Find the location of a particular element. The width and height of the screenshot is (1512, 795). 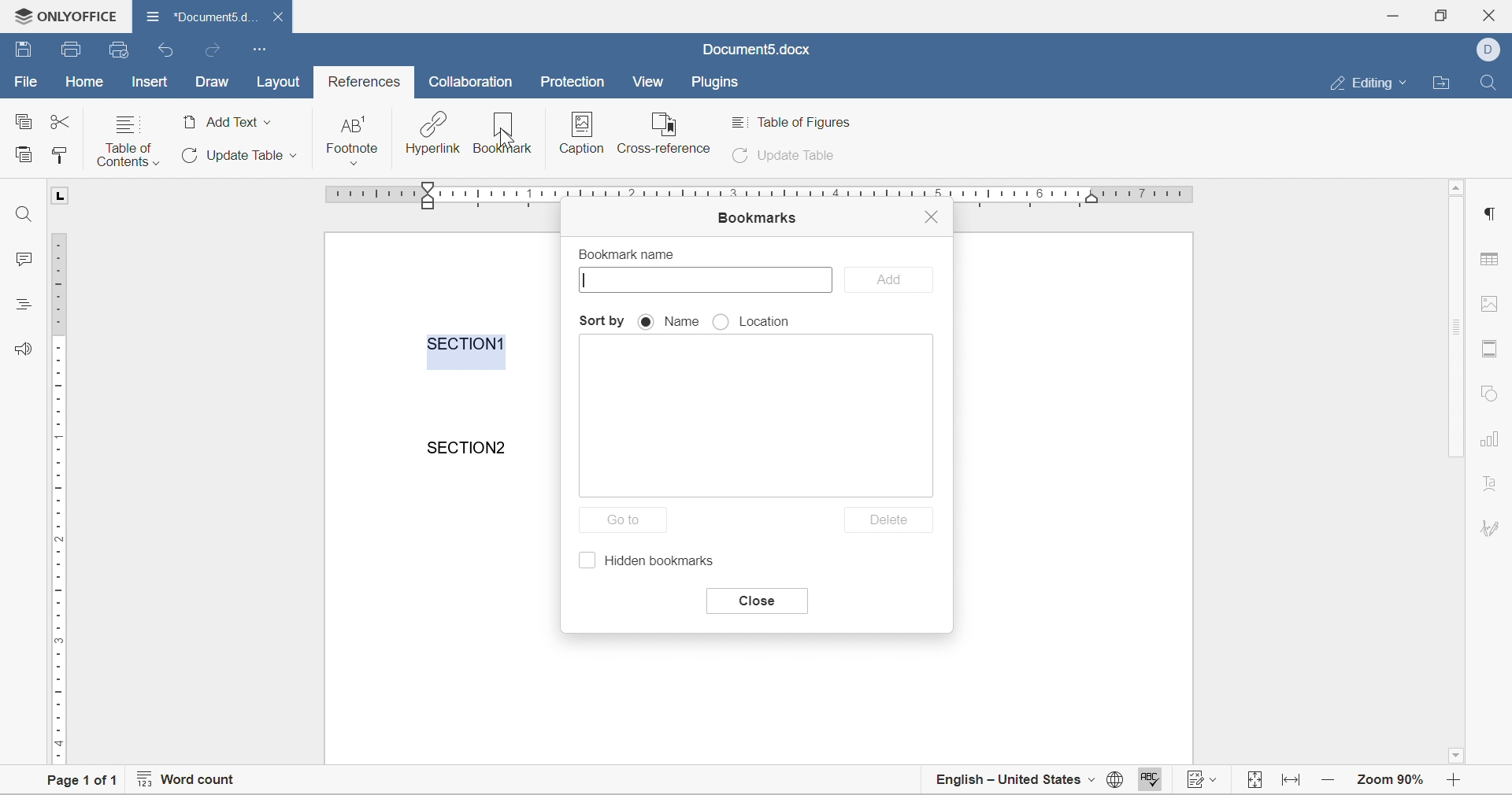

text art settings is located at coordinates (1491, 483).